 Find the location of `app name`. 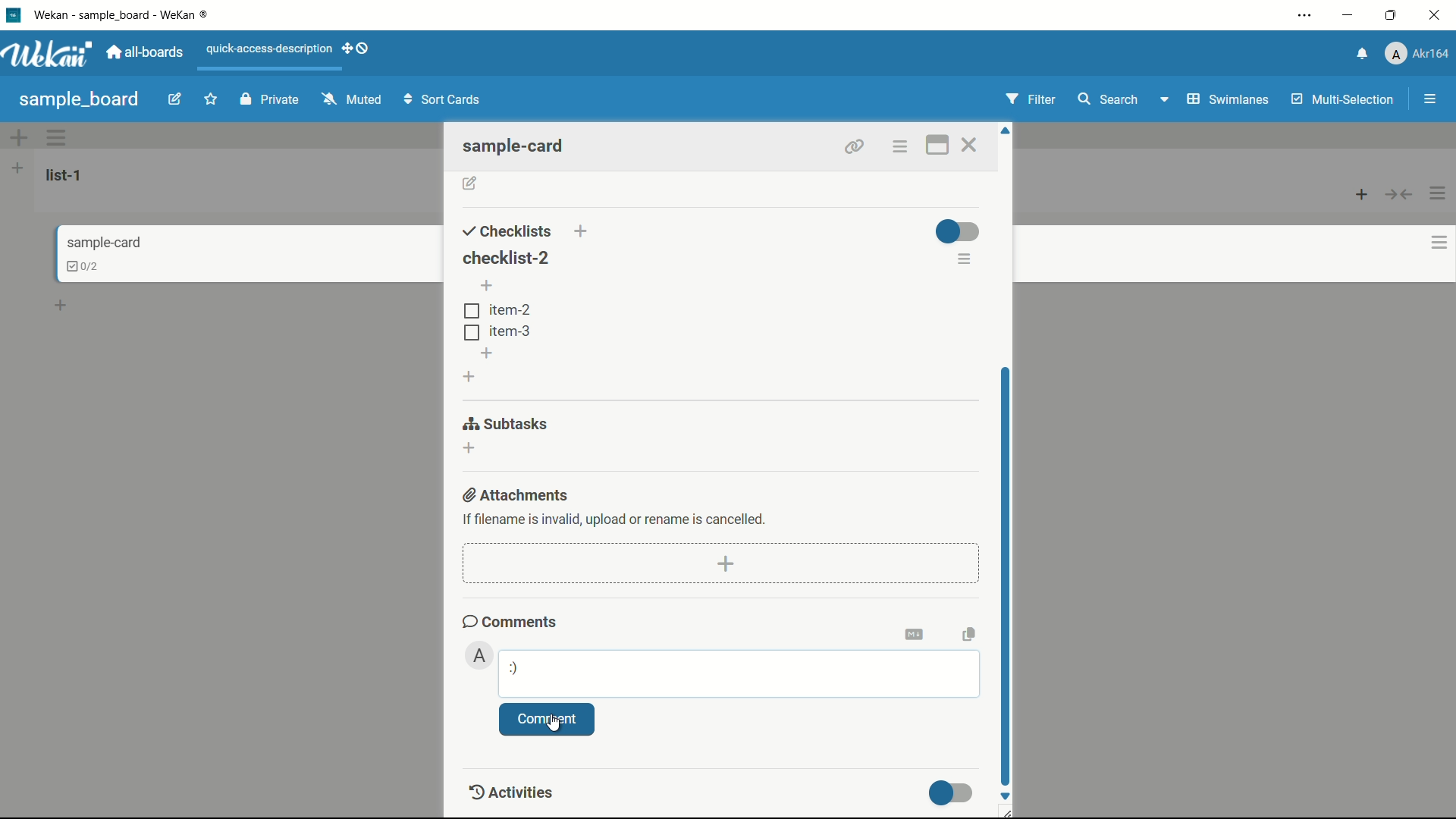

app name is located at coordinates (131, 14).